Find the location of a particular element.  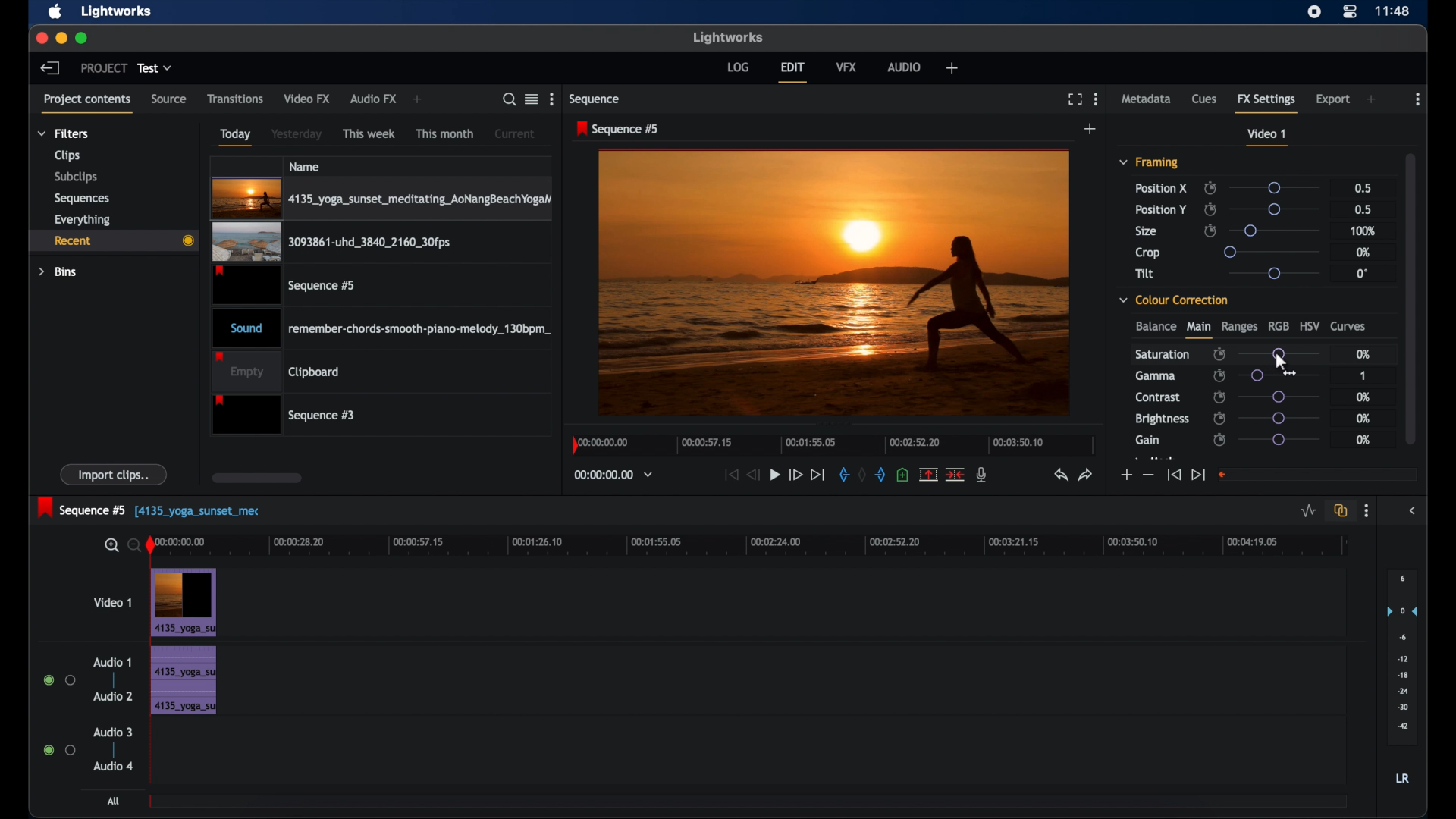

import clips is located at coordinates (115, 475).